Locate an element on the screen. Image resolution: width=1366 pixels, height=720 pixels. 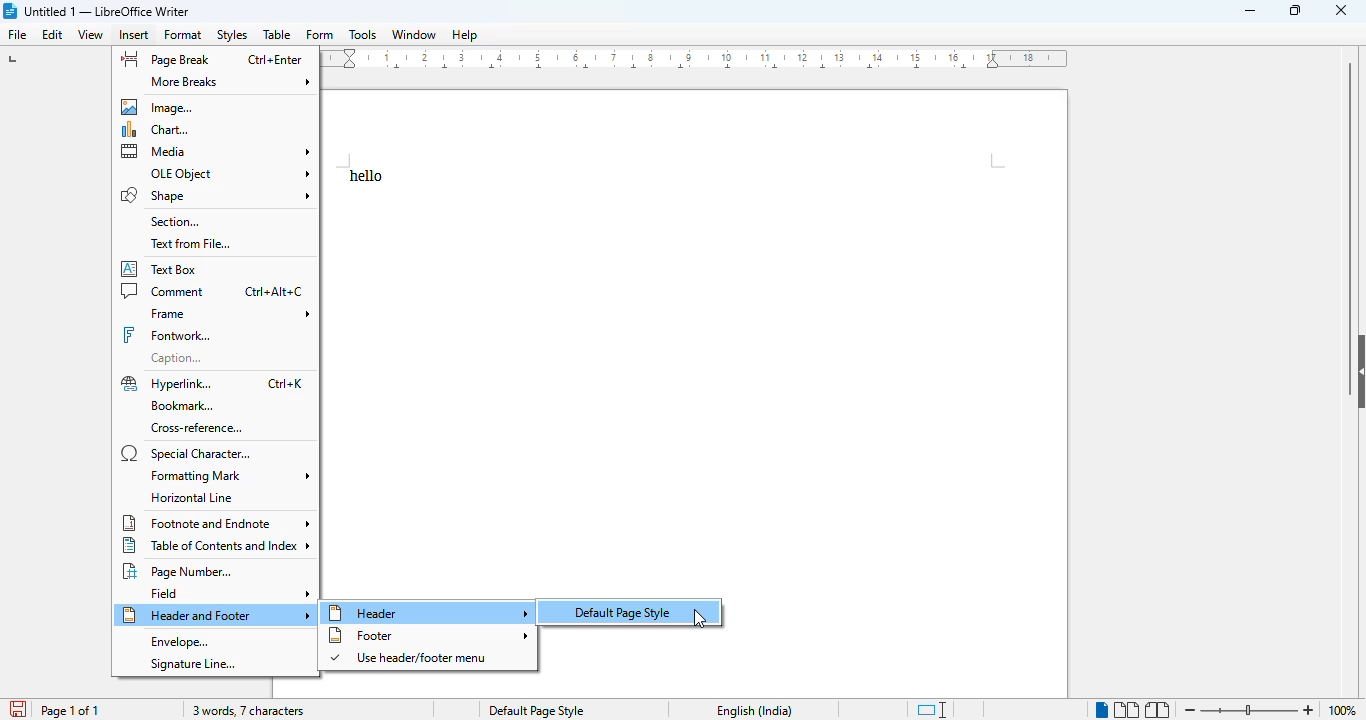
zoom in or zoom out bar is located at coordinates (1248, 710).